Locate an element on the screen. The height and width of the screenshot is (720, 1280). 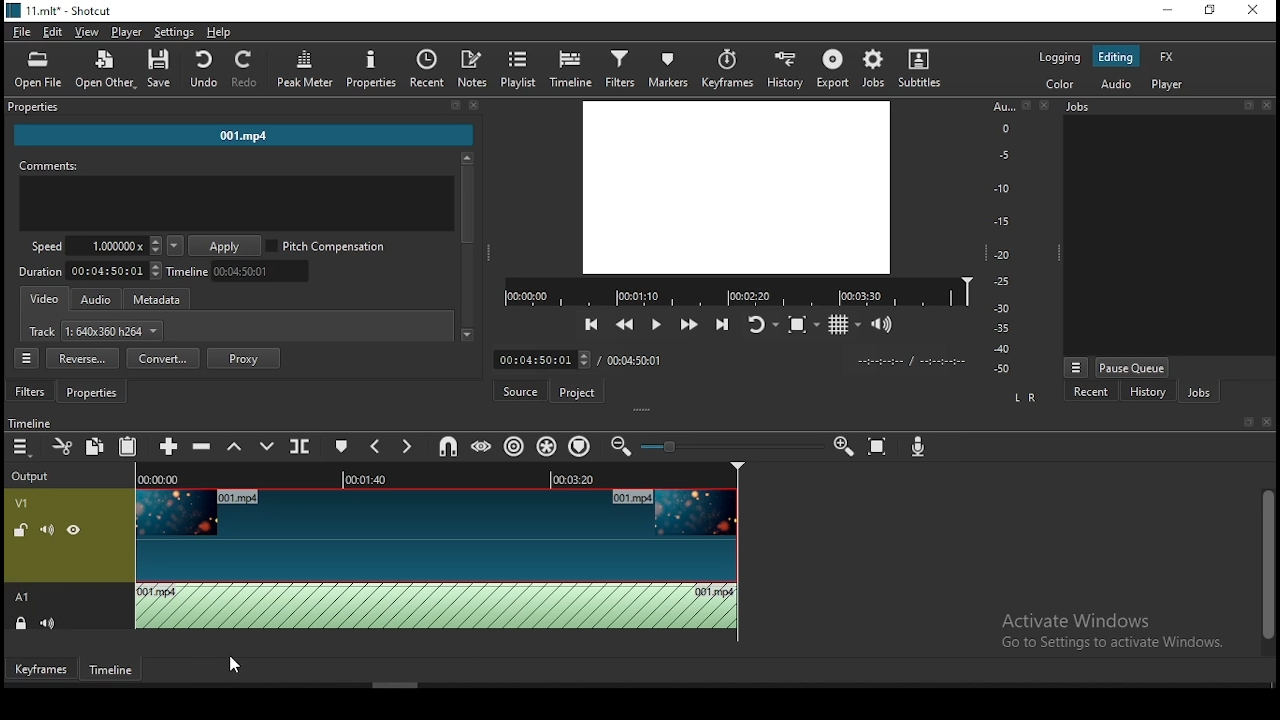
markers is located at coordinates (671, 71).